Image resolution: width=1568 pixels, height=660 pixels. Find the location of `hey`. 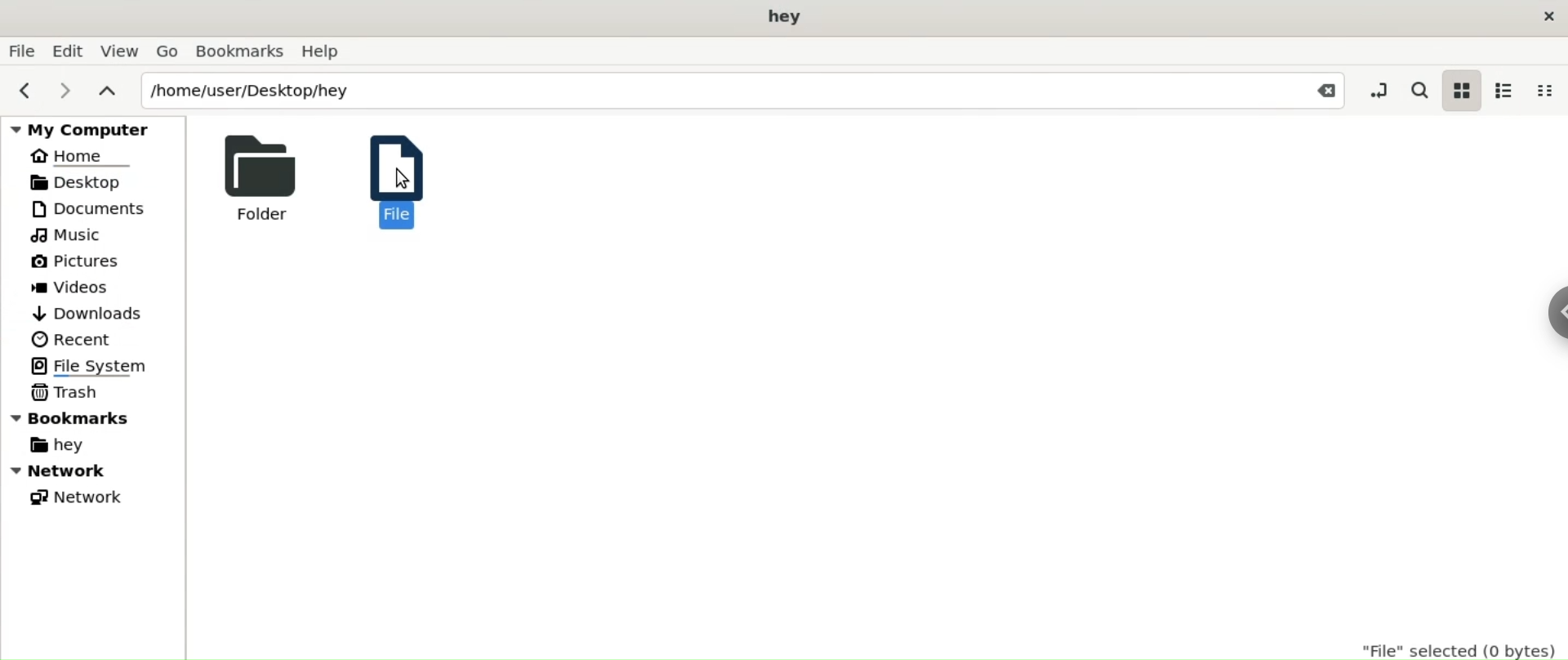

hey is located at coordinates (777, 17).